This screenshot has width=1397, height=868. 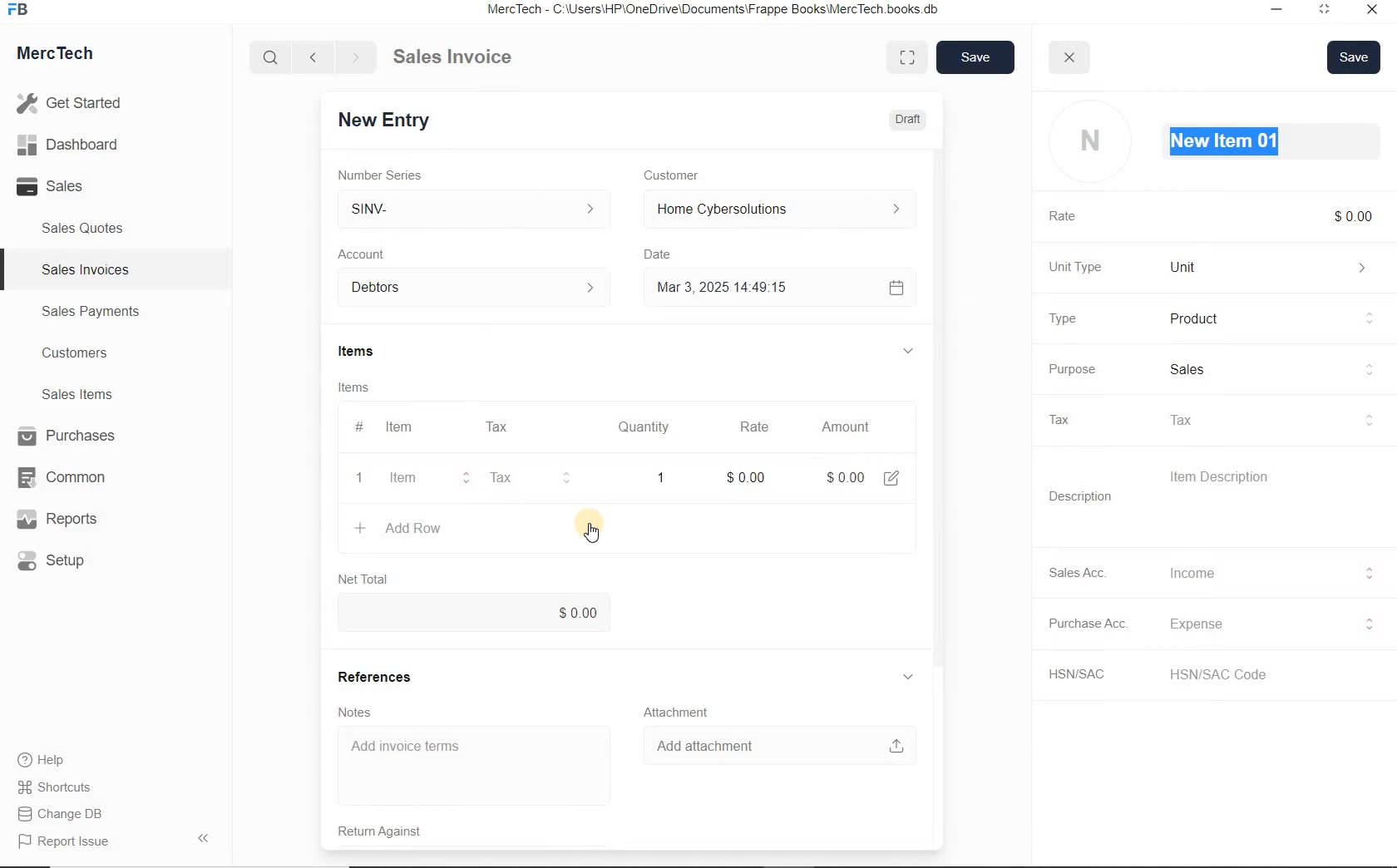 I want to click on hide sub menu, so click(x=907, y=352).